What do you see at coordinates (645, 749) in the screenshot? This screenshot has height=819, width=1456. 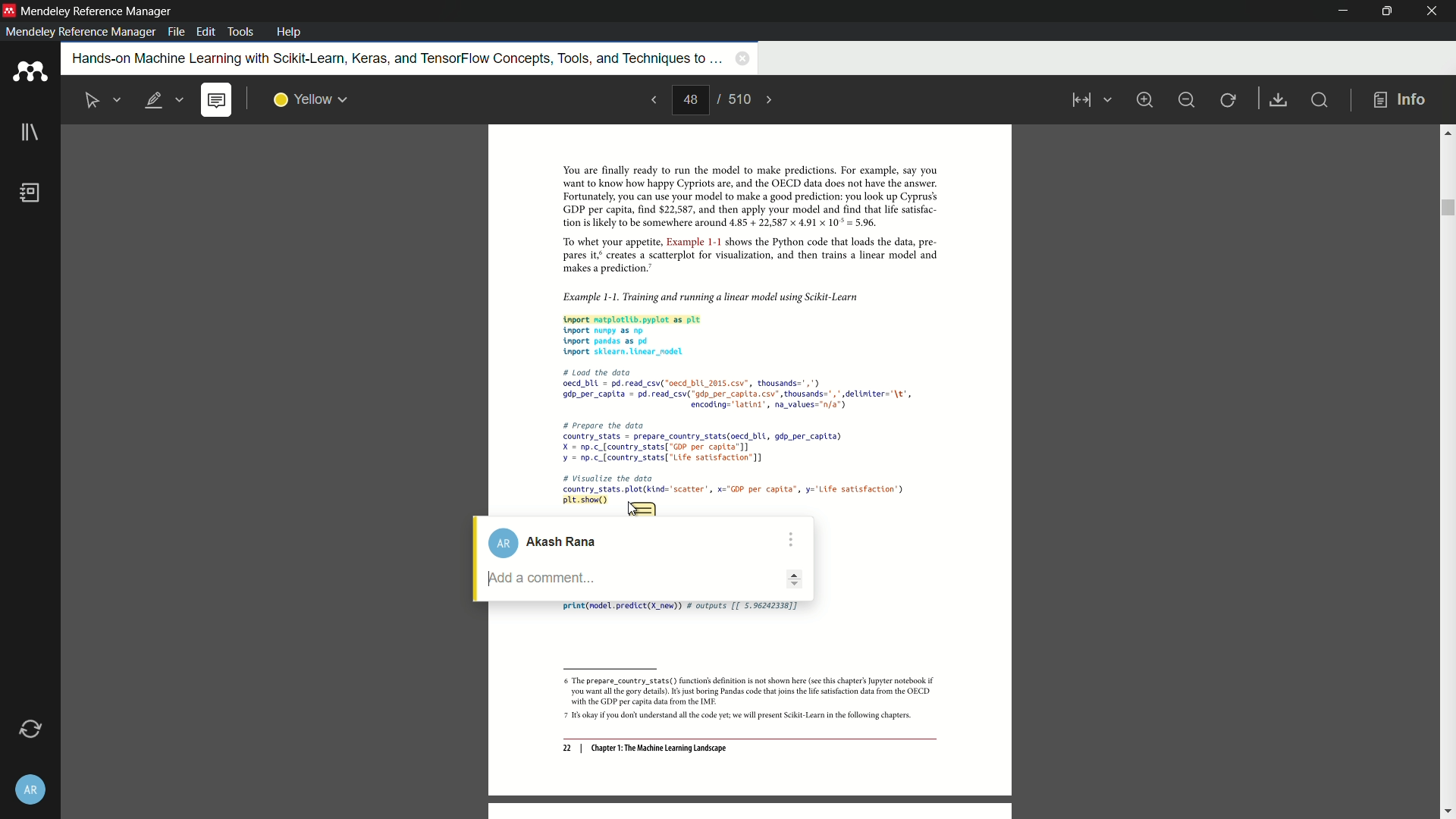 I see `22 | Chapter 1: The Machine Learning Landscape` at bounding box center [645, 749].